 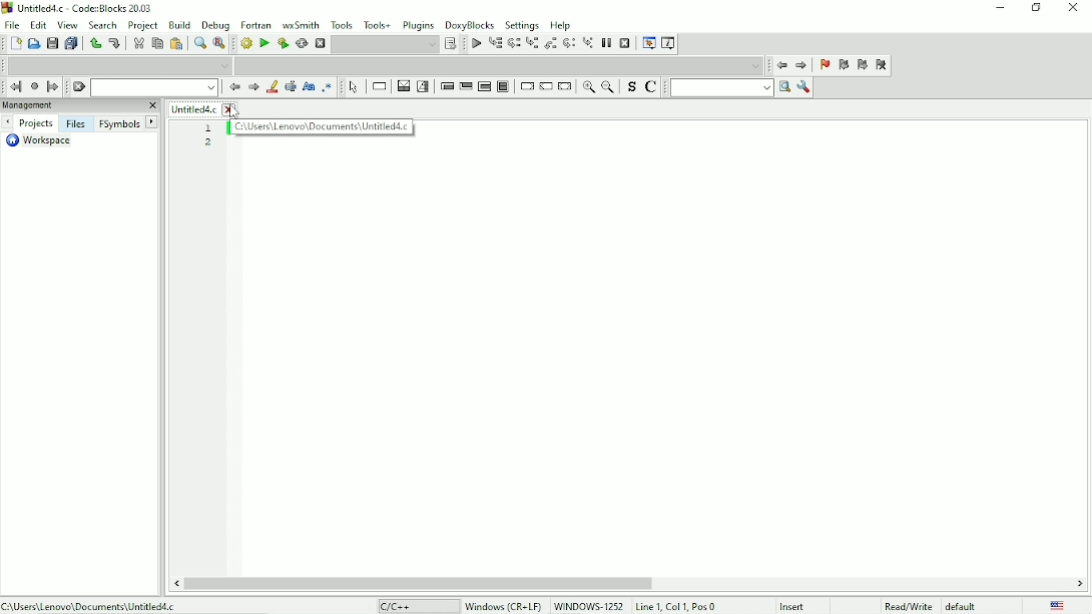 I want to click on Projects, so click(x=38, y=124).